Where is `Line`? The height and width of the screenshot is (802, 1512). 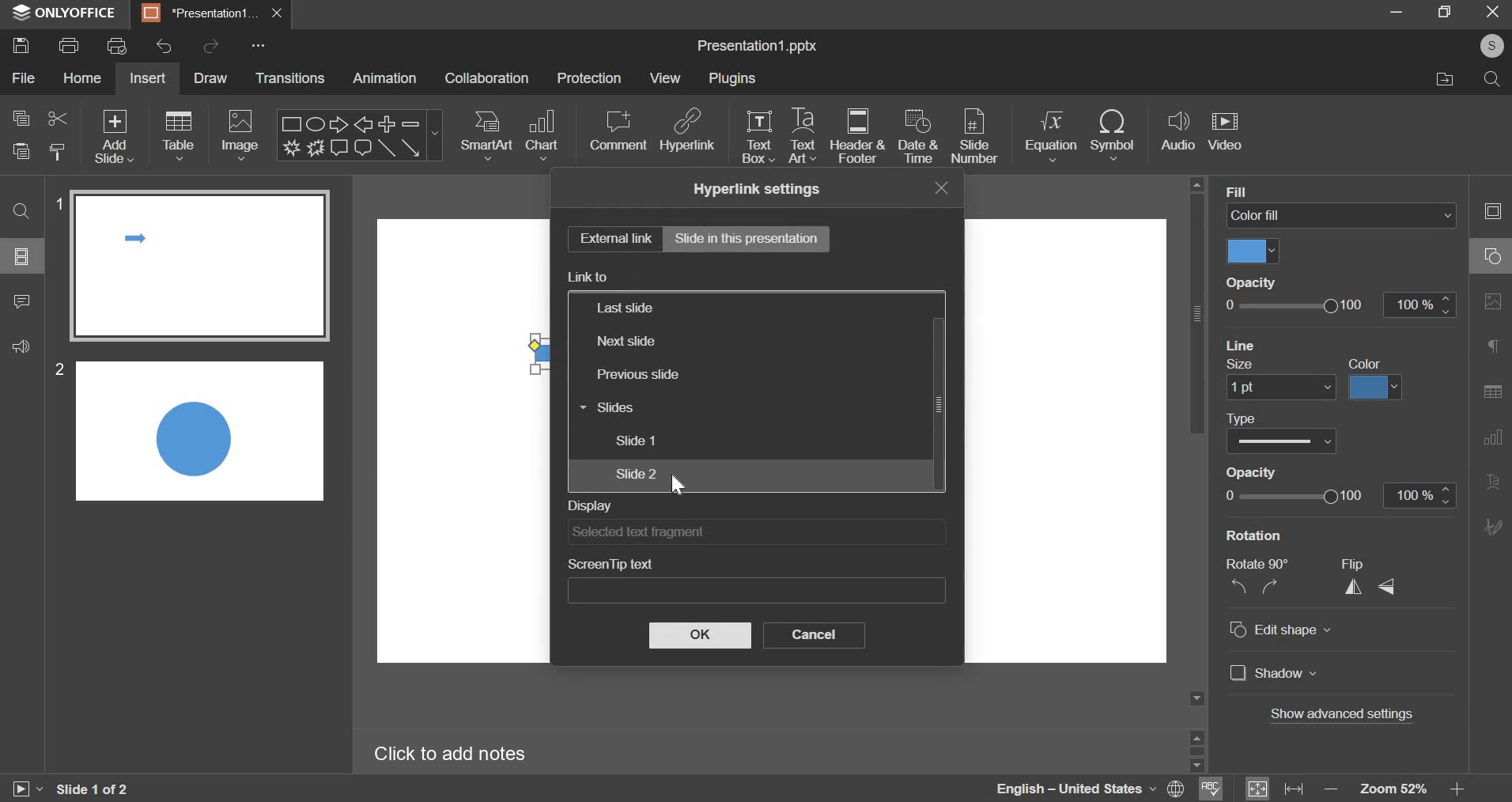 Line is located at coordinates (1242, 346).